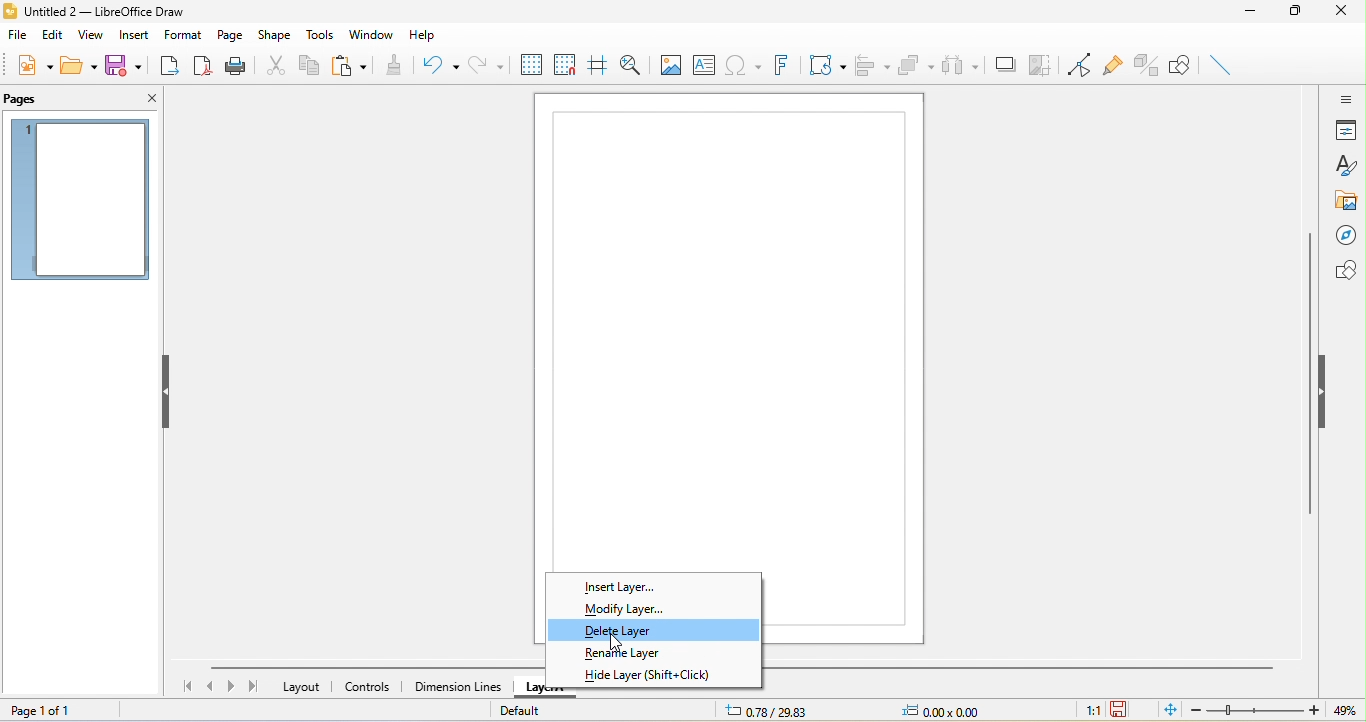 The width and height of the screenshot is (1366, 722). Describe the element at coordinates (1252, 711) in the screenshot. I see `zoom` at that location.